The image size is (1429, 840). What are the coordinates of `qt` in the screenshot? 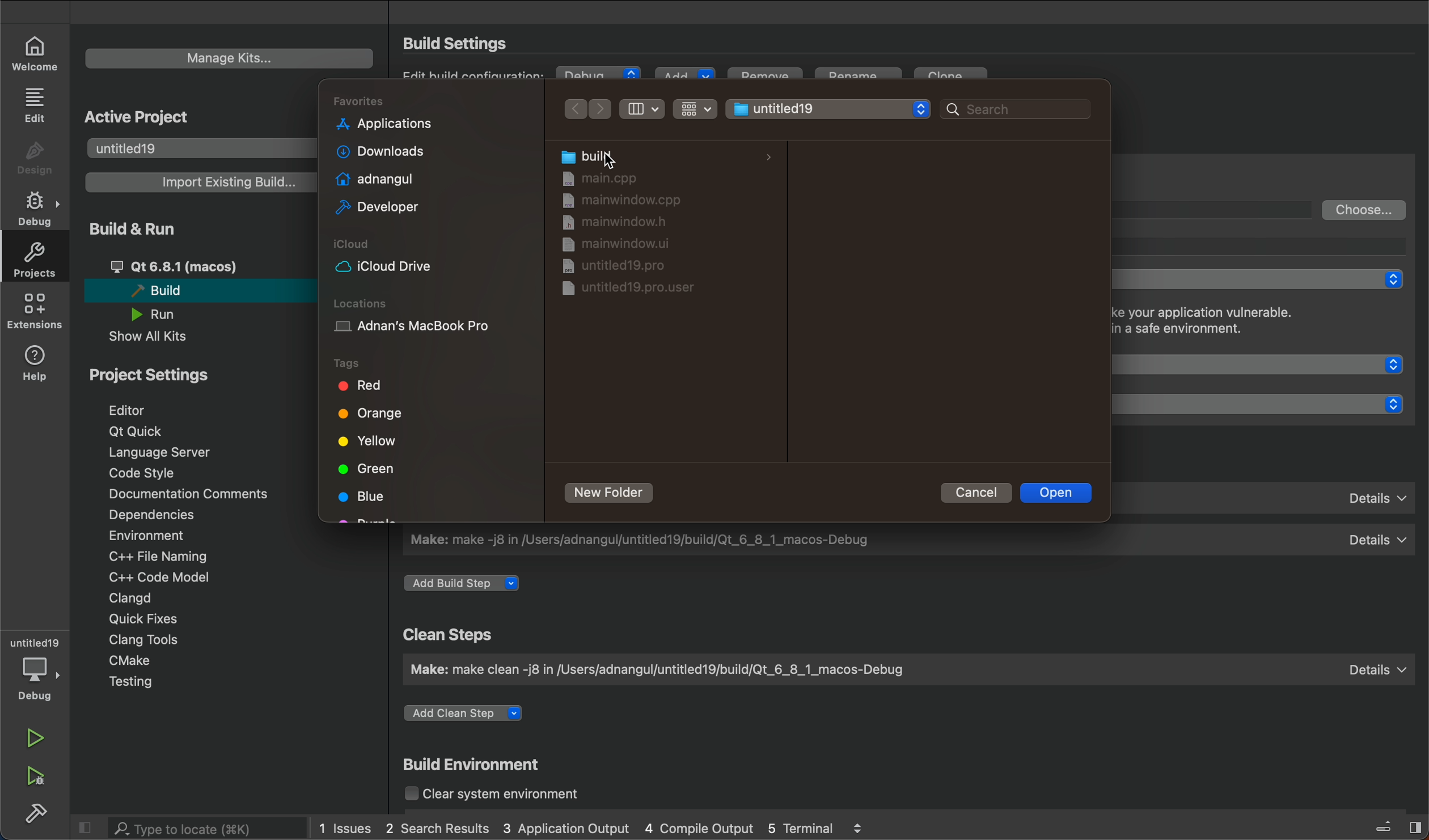 It's located at (200, 266).